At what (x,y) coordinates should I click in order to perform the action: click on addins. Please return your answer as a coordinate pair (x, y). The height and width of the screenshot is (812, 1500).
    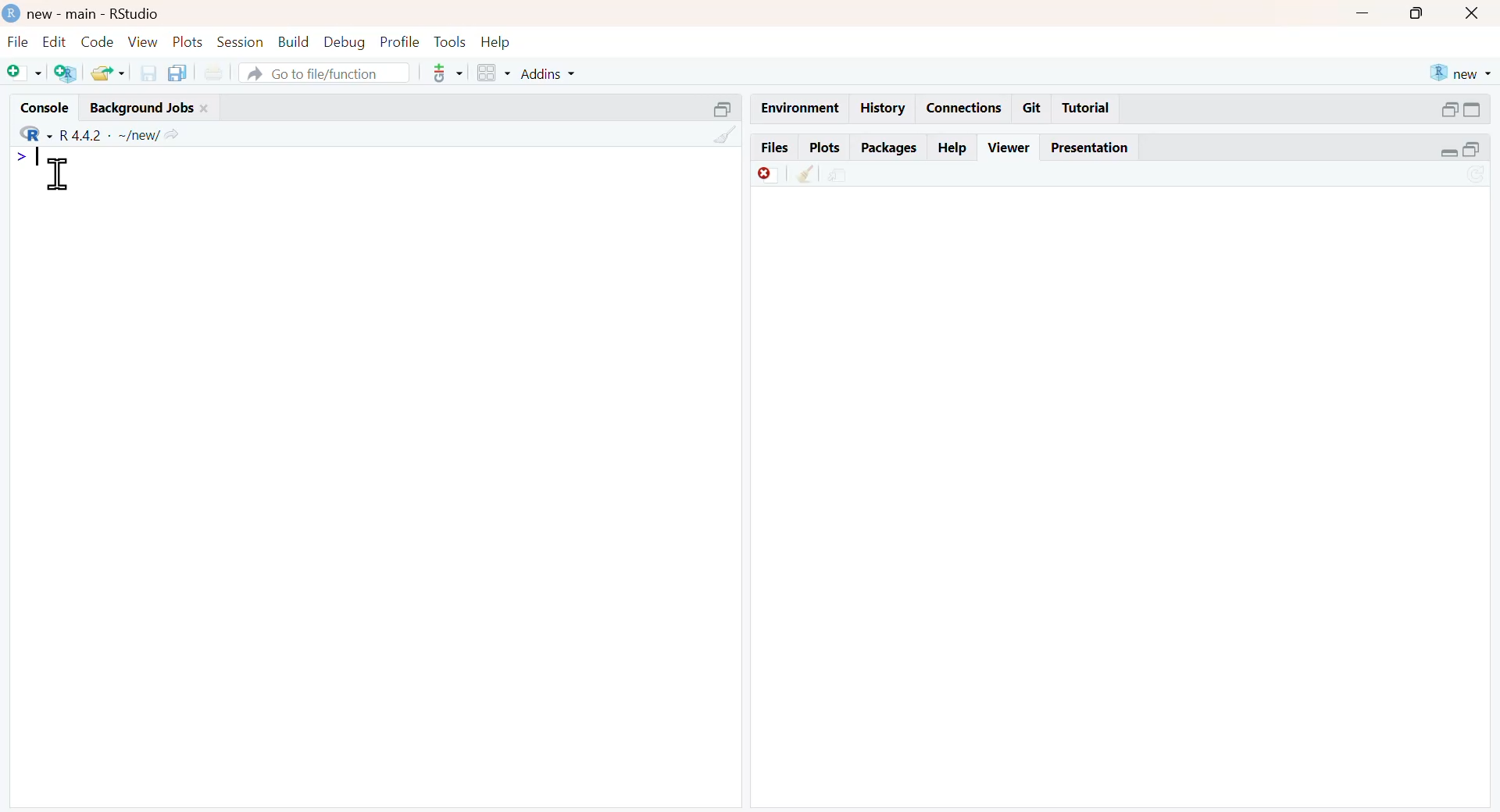
    Looking at the image, I should click on (548, 73).